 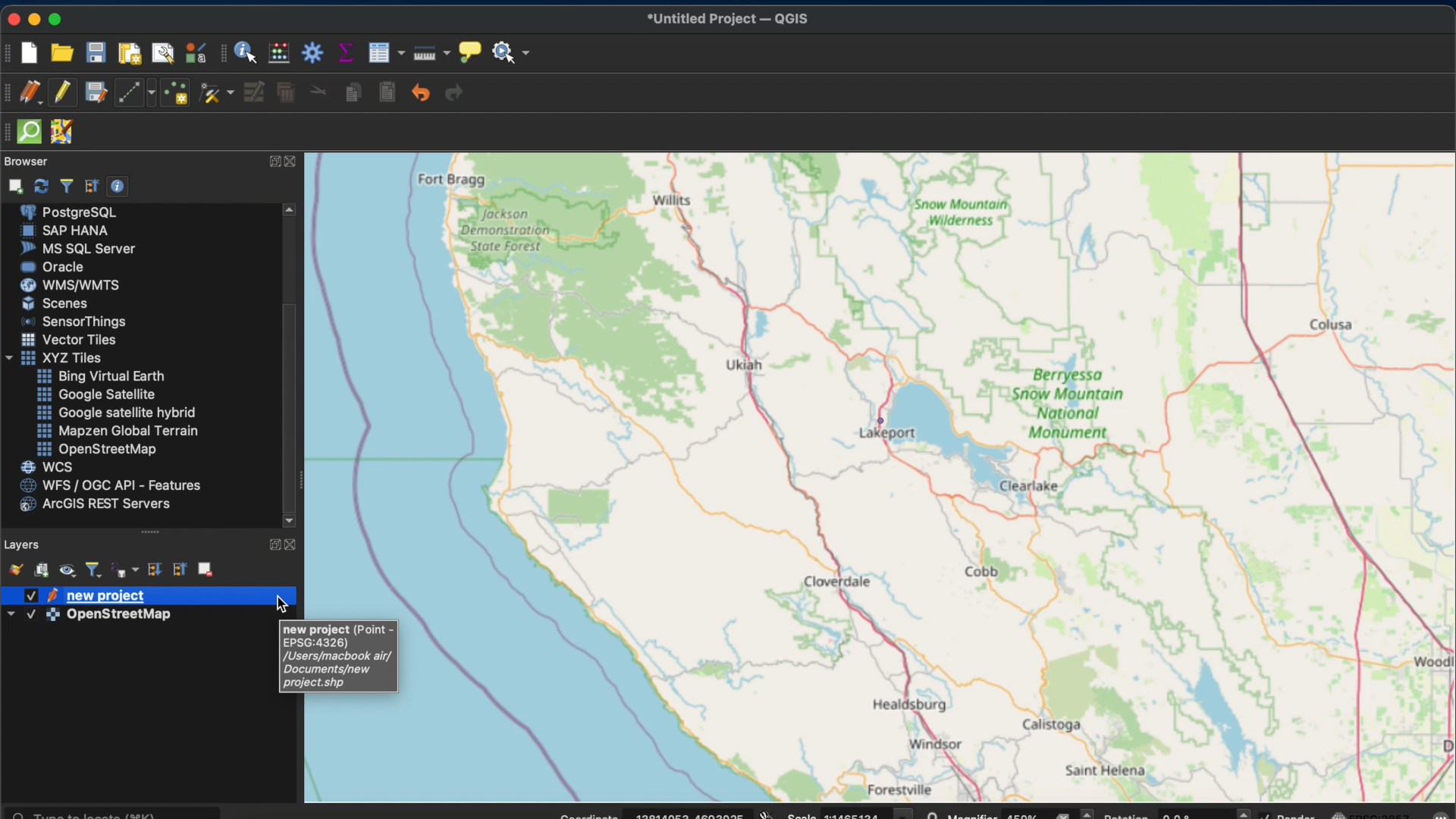 I want to click on cut features, so click(x=320, y=93).